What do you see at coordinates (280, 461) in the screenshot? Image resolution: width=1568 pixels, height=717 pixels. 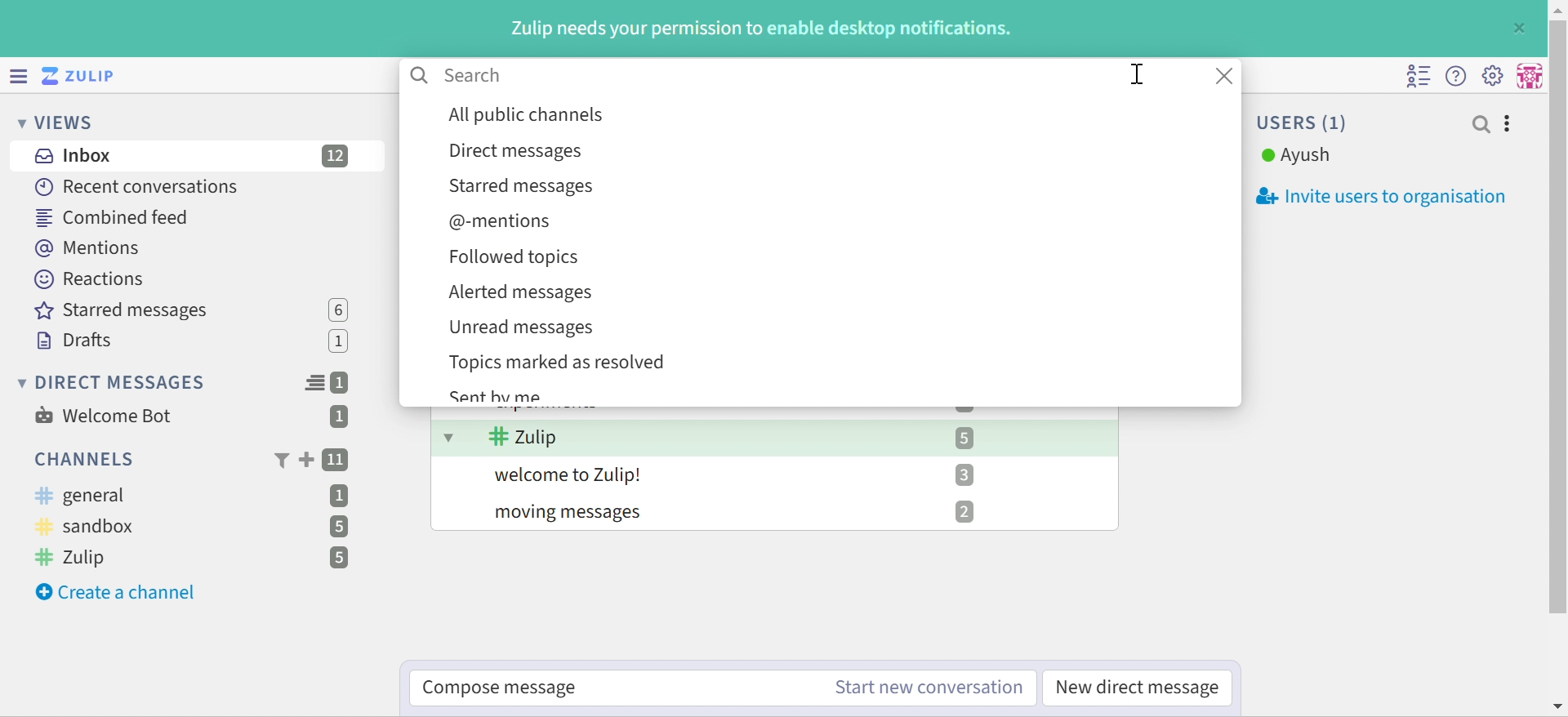 I see `Filter channels` at bounding box center [280, 461].